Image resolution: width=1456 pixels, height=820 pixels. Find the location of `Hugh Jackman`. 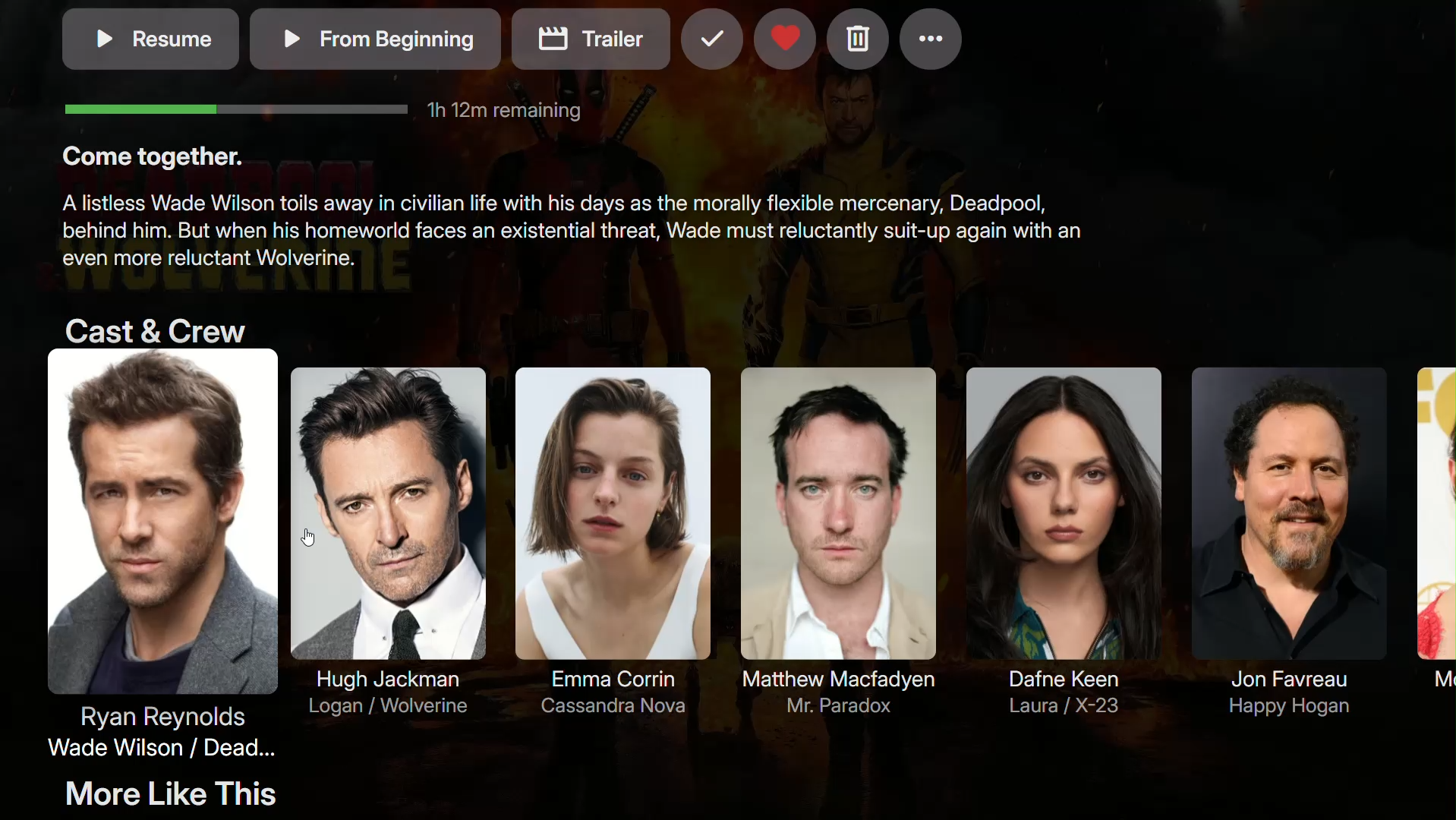

Hugh Jackman is located at coordinates (386, 542).